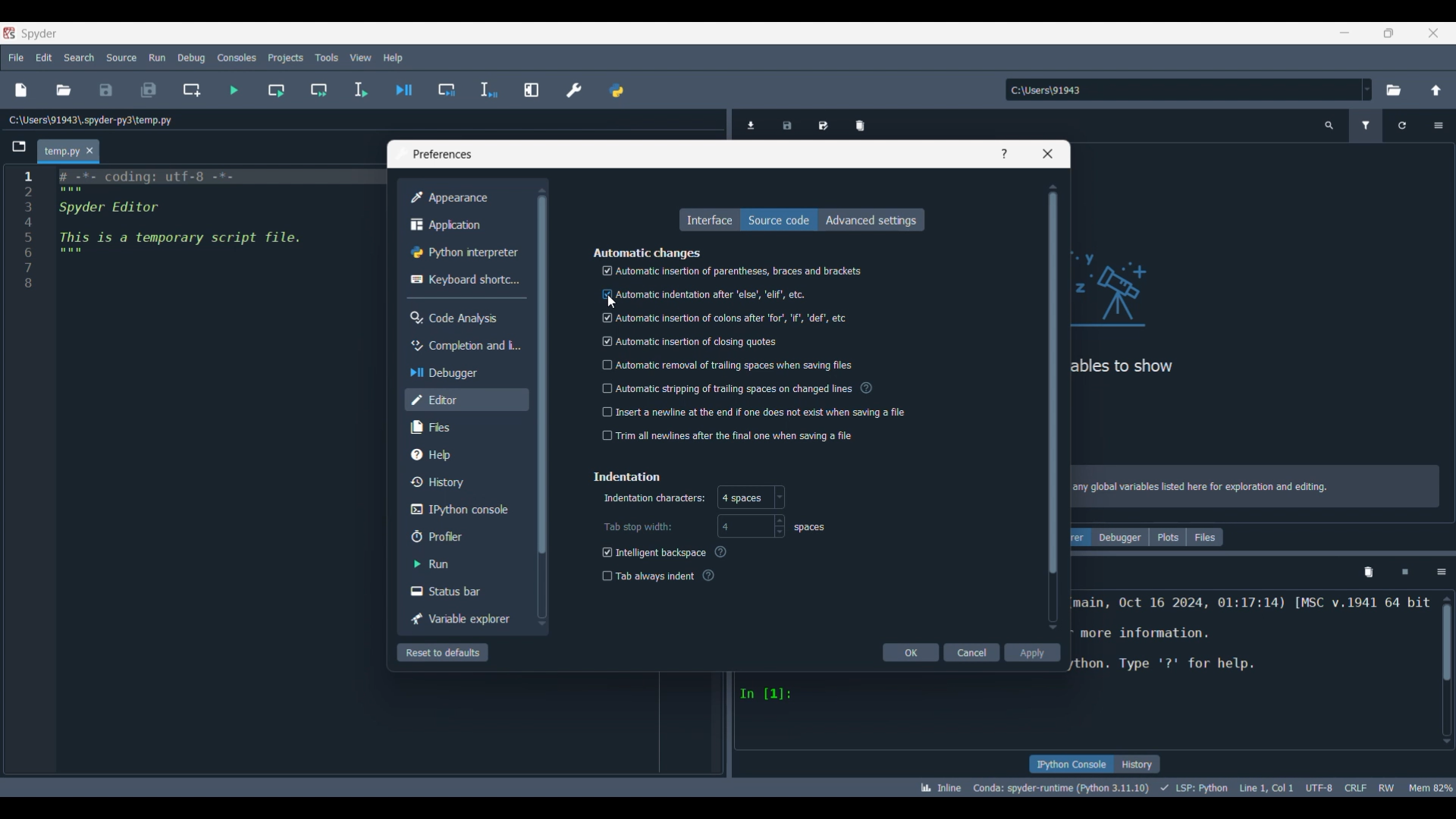 The image size is (1456, 819). I want to click on Filter variables, so click(1366, 126).